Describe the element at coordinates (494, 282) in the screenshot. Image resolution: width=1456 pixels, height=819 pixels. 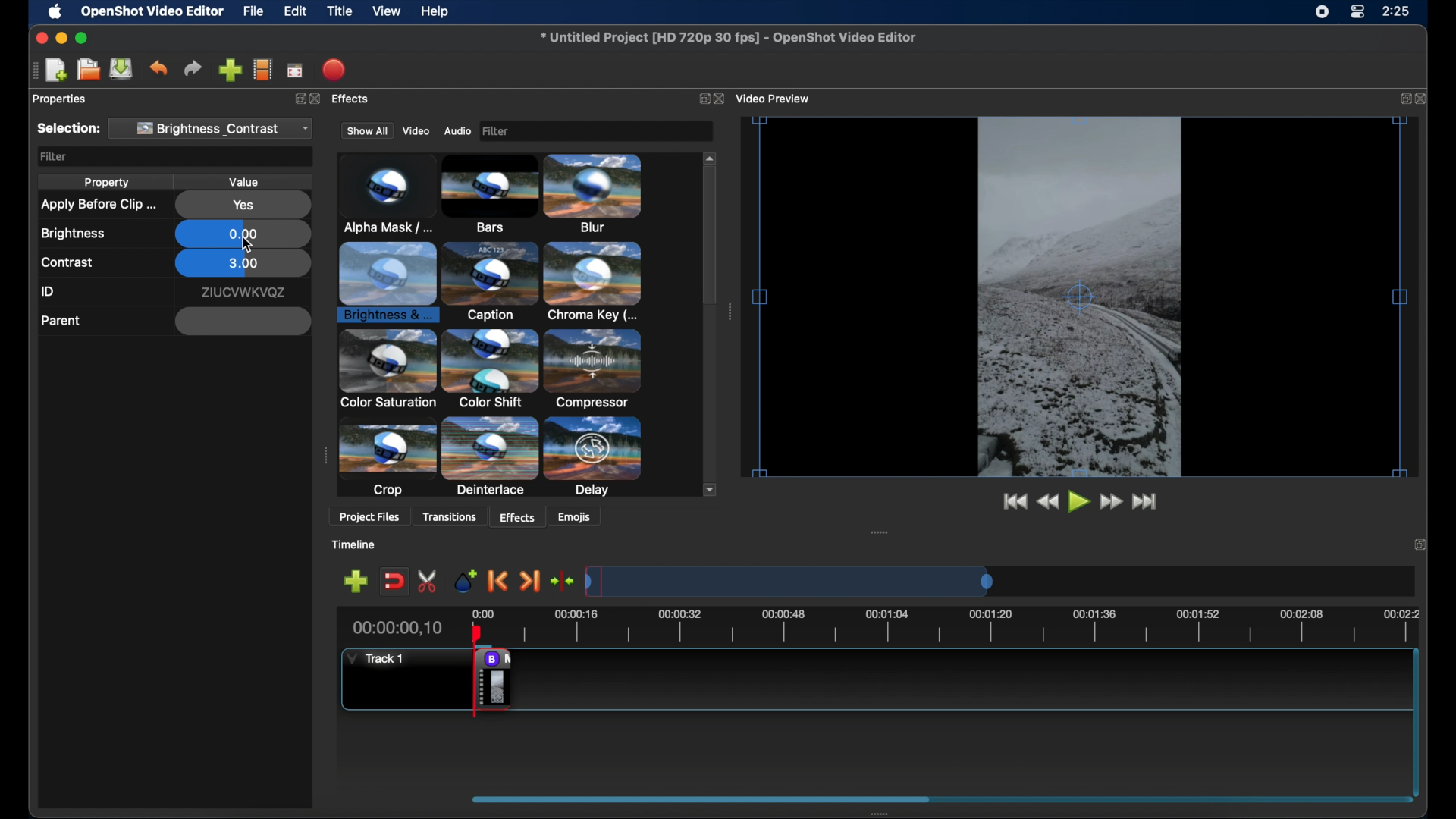
I see `color saturation` at that location.